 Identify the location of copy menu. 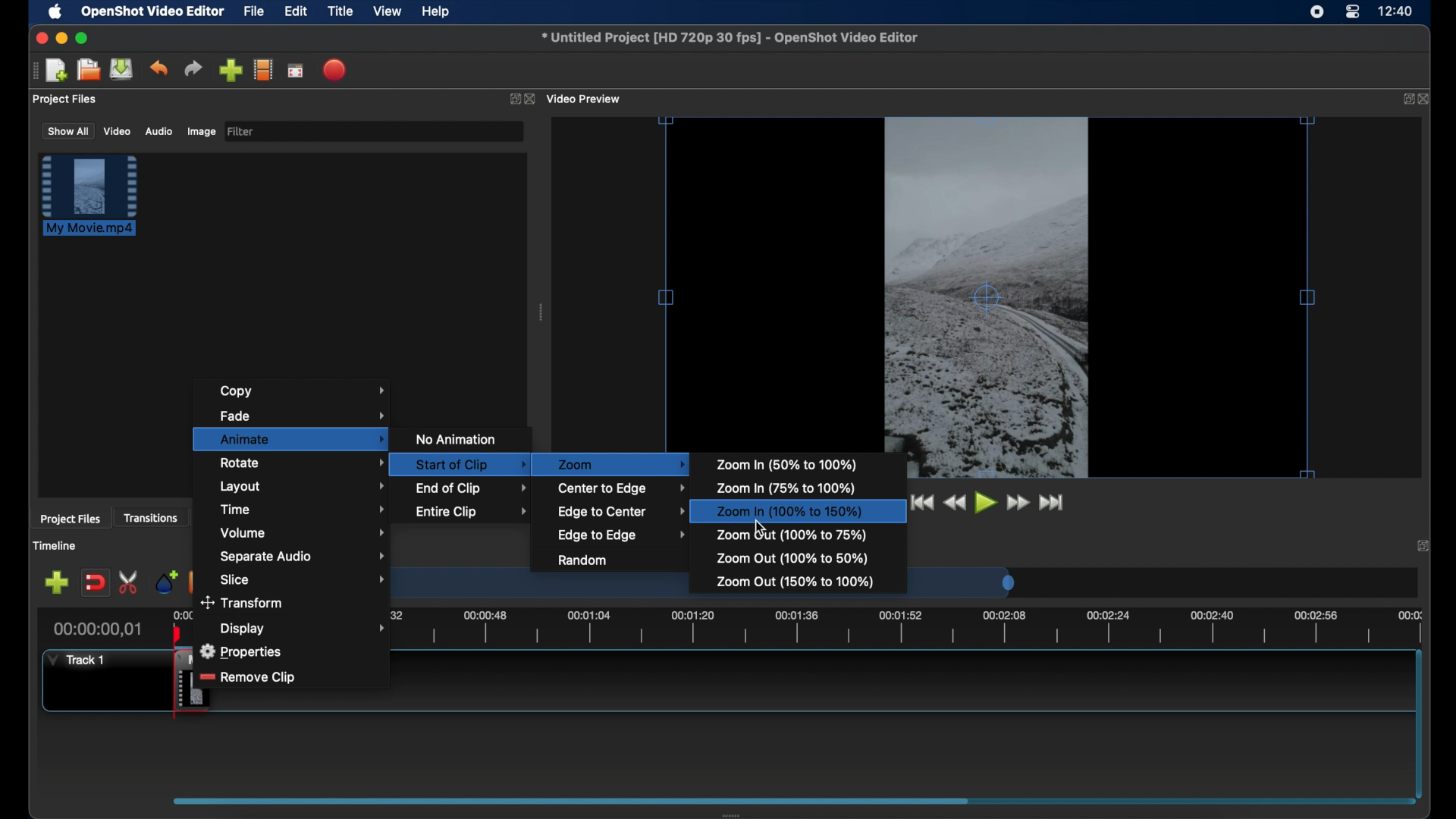
(307, 391).